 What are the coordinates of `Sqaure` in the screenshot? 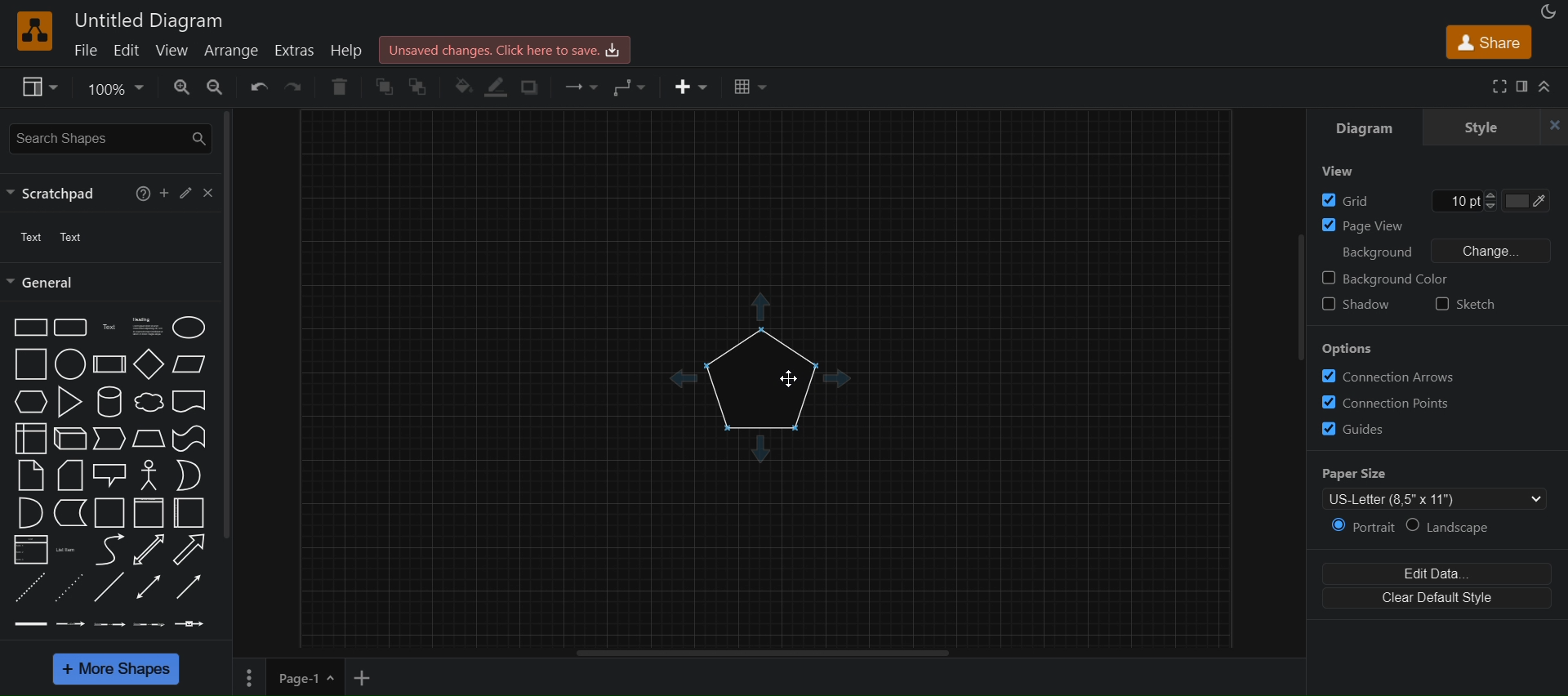 It's located at (31, 364).